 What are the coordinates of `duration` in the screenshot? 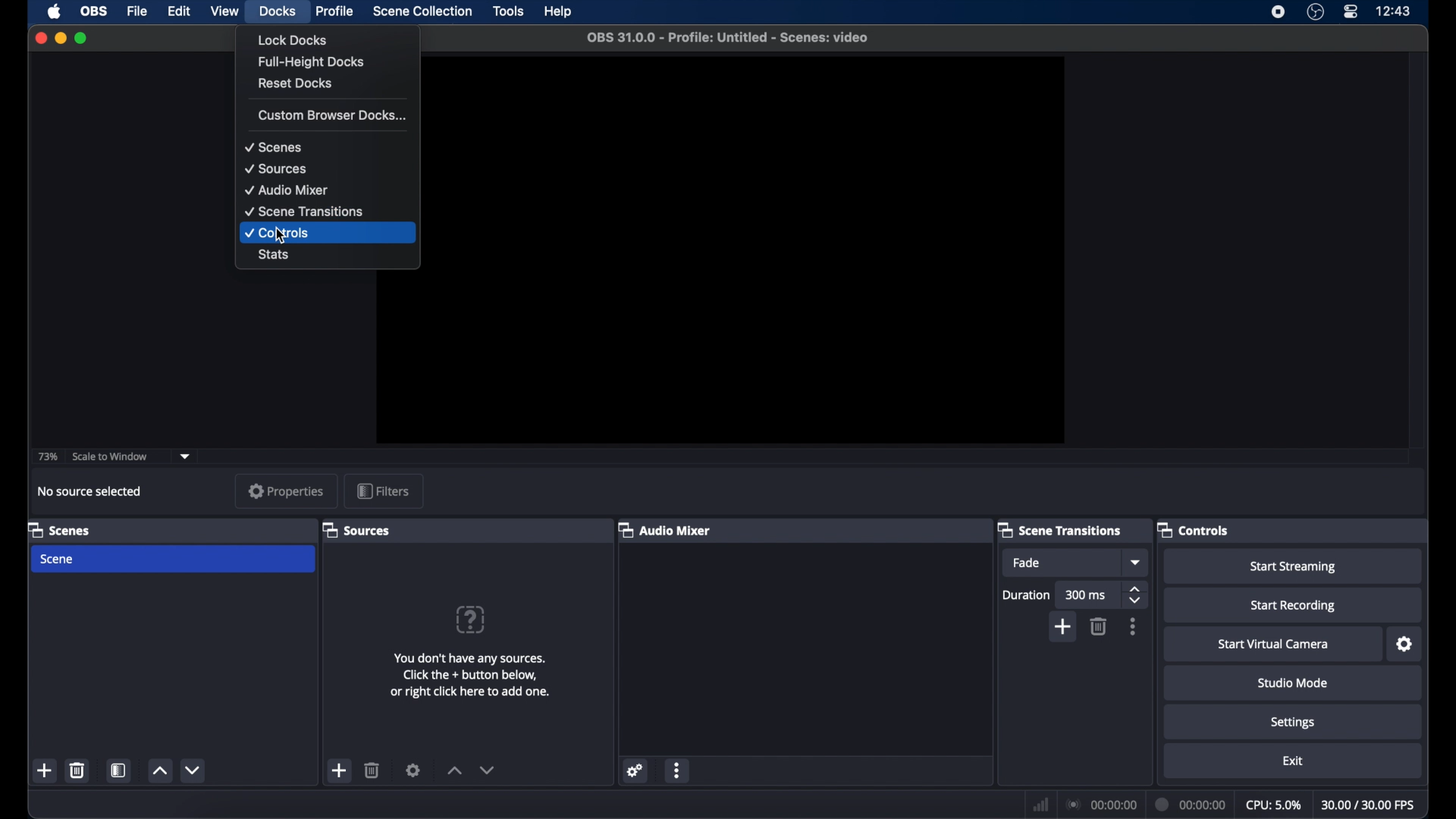 It's located at (1025, 595).